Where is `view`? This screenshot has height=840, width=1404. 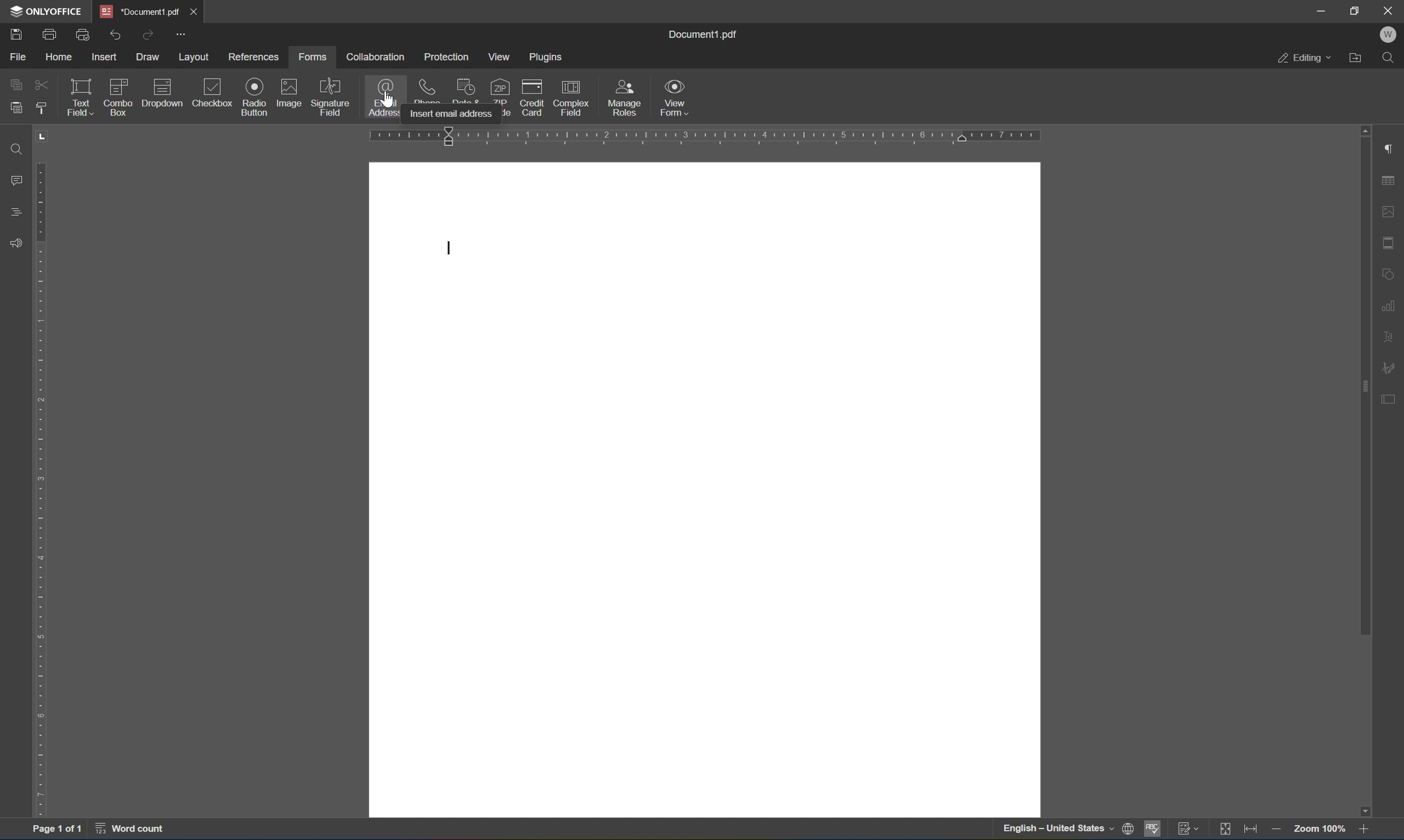 view is located at coordinates (498, 56).